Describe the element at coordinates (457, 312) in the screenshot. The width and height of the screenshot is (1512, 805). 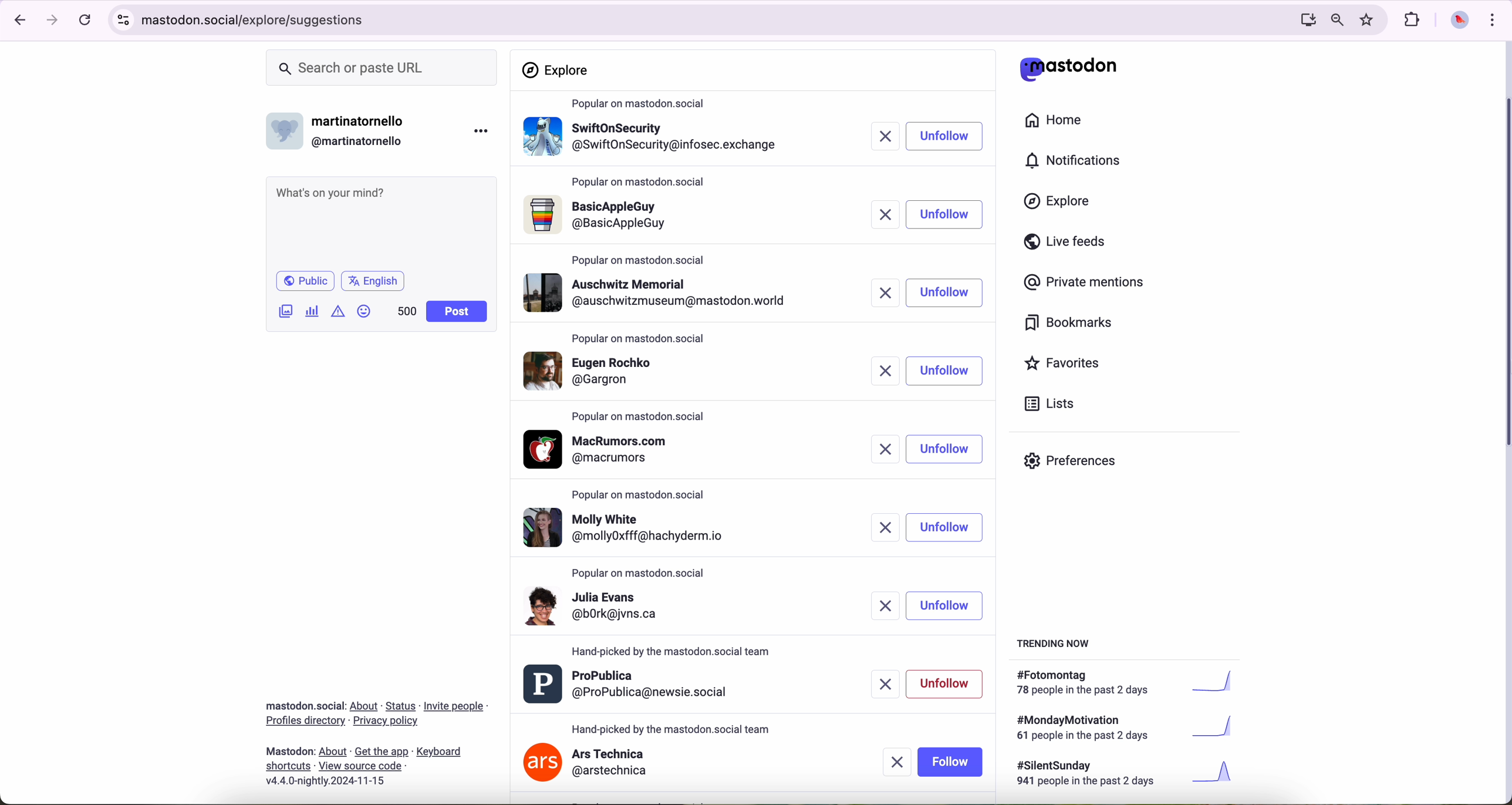
I see `post button` at that location.